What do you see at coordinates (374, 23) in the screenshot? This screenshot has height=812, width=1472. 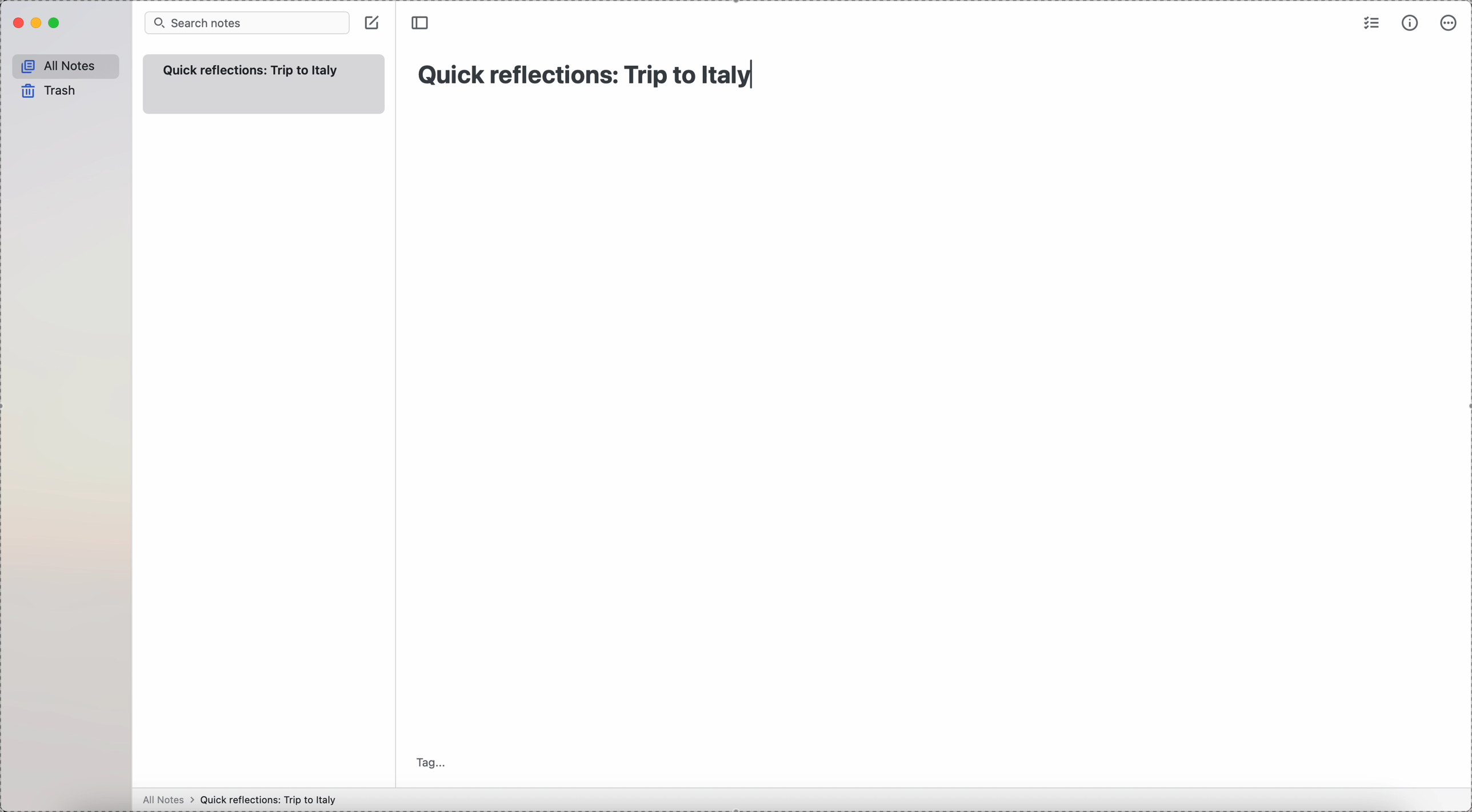 I see `click on create note` at bounding box center [374, 23].